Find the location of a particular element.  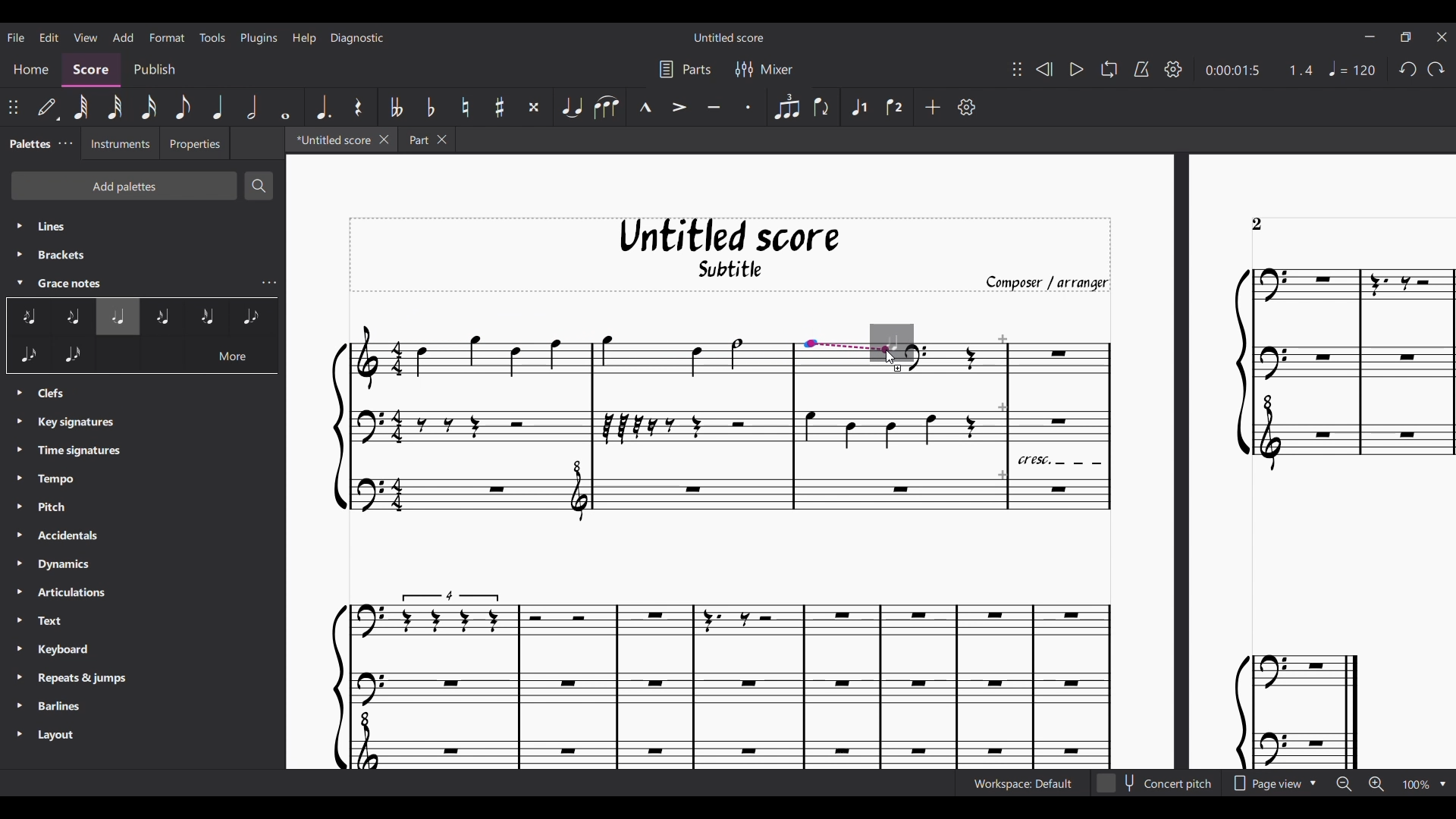

Voice 1 is located at coordinates (858, 107).